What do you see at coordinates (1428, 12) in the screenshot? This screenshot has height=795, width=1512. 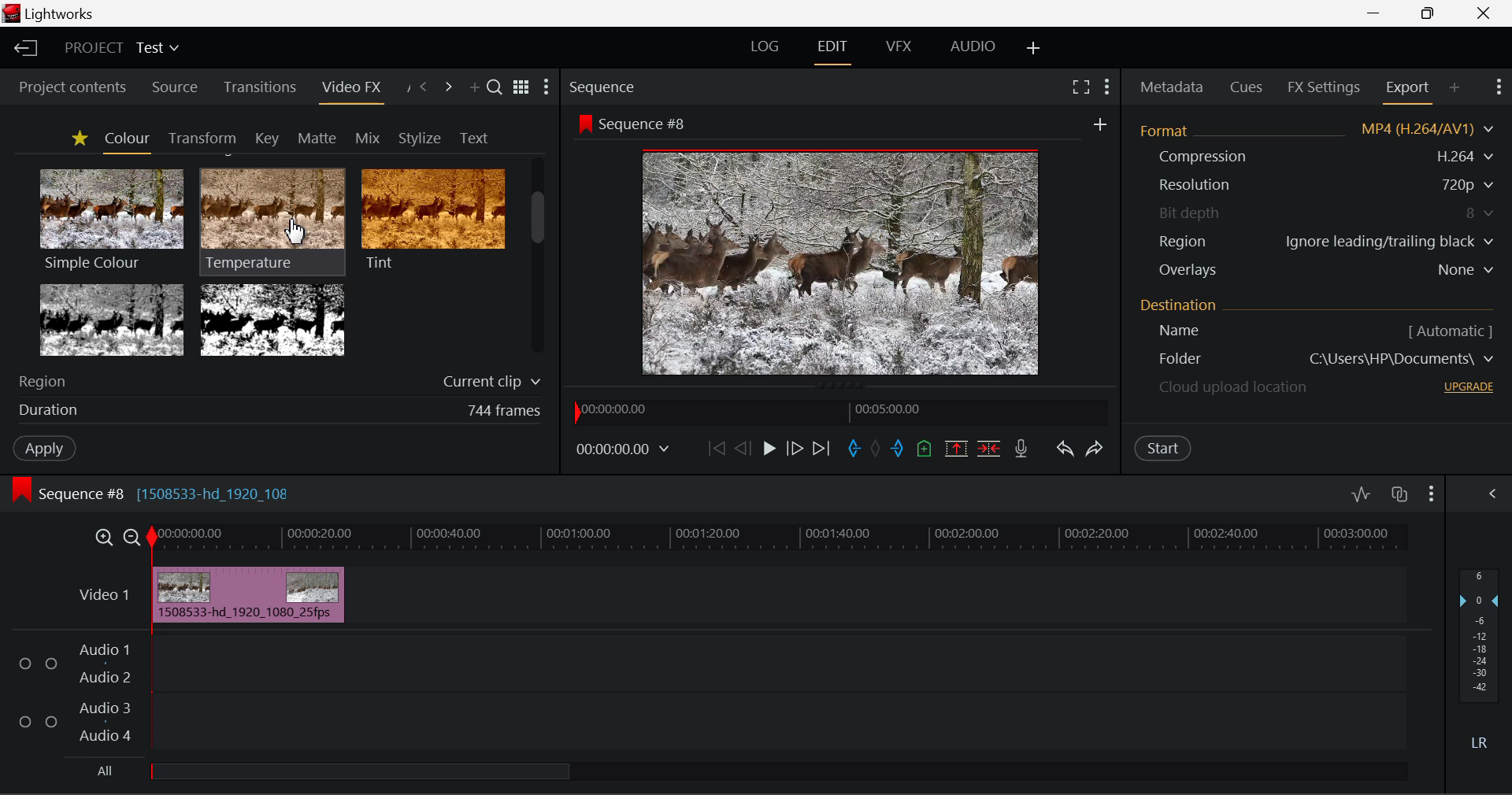 I see `Minimize` at bounding box center [1428, 12].